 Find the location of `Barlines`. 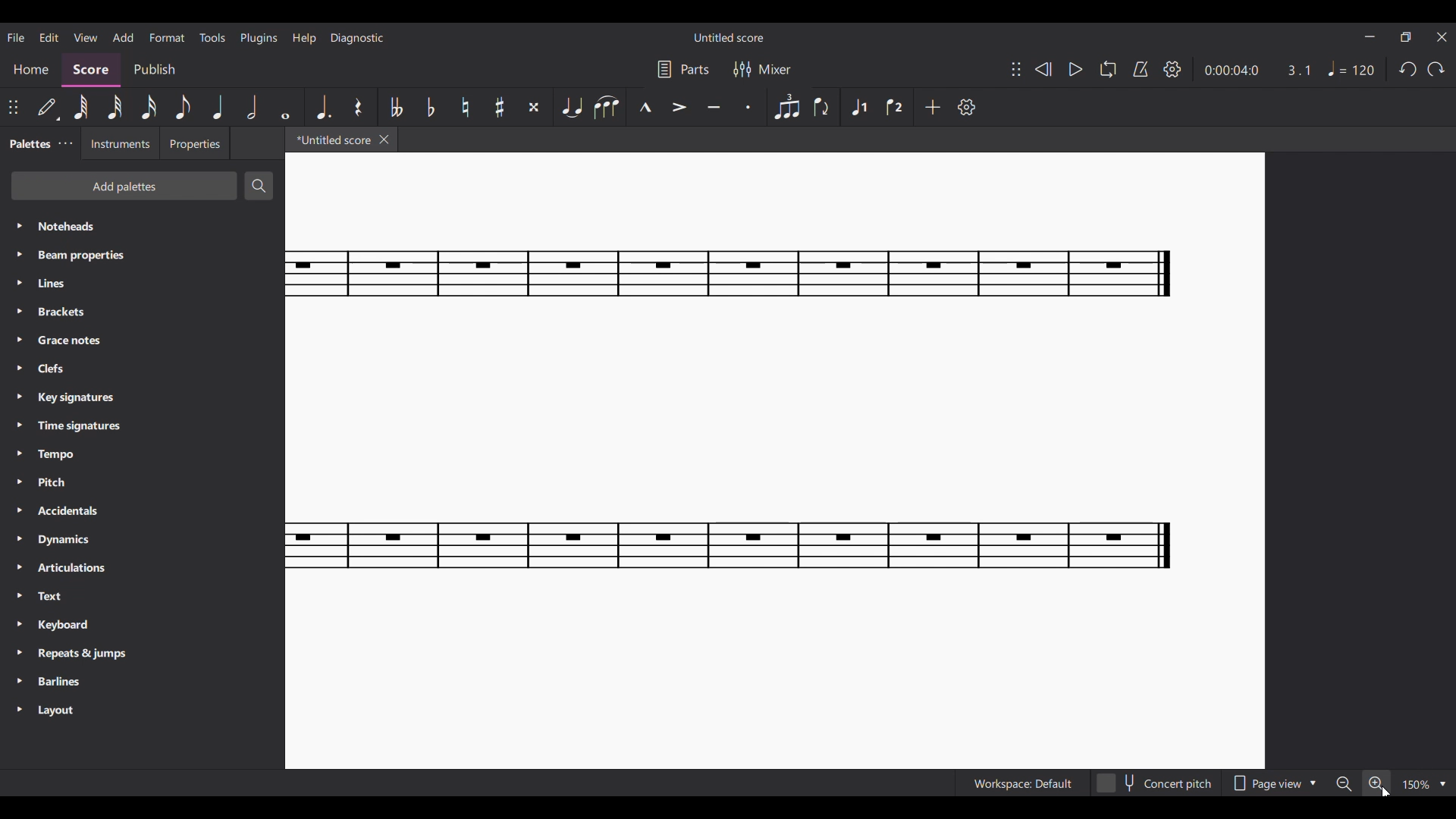

Barlines is located at coordinates (142, 681).